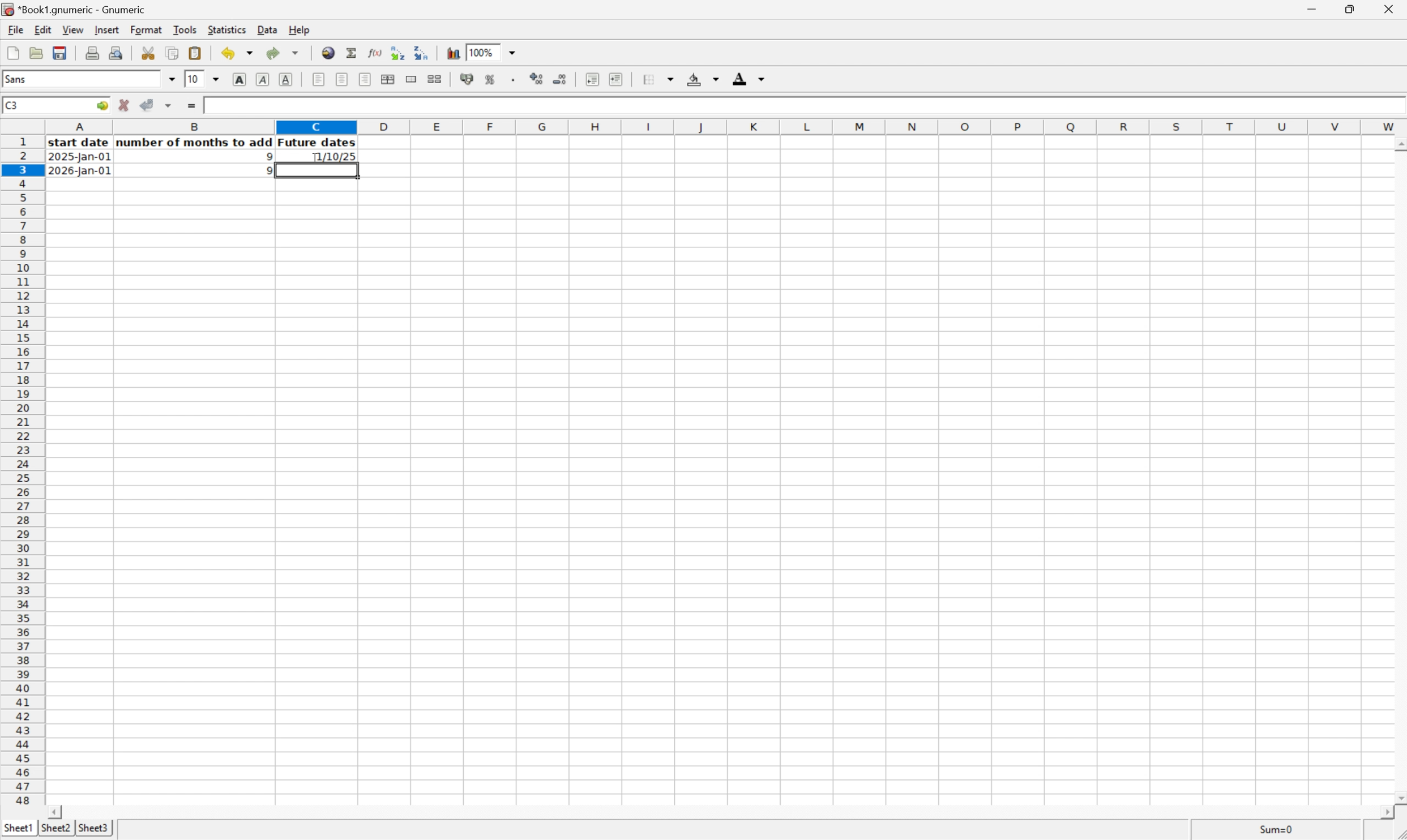  Describe the element at coordinates (116, 52) in the screenshot. I see `Print preview` at that location.